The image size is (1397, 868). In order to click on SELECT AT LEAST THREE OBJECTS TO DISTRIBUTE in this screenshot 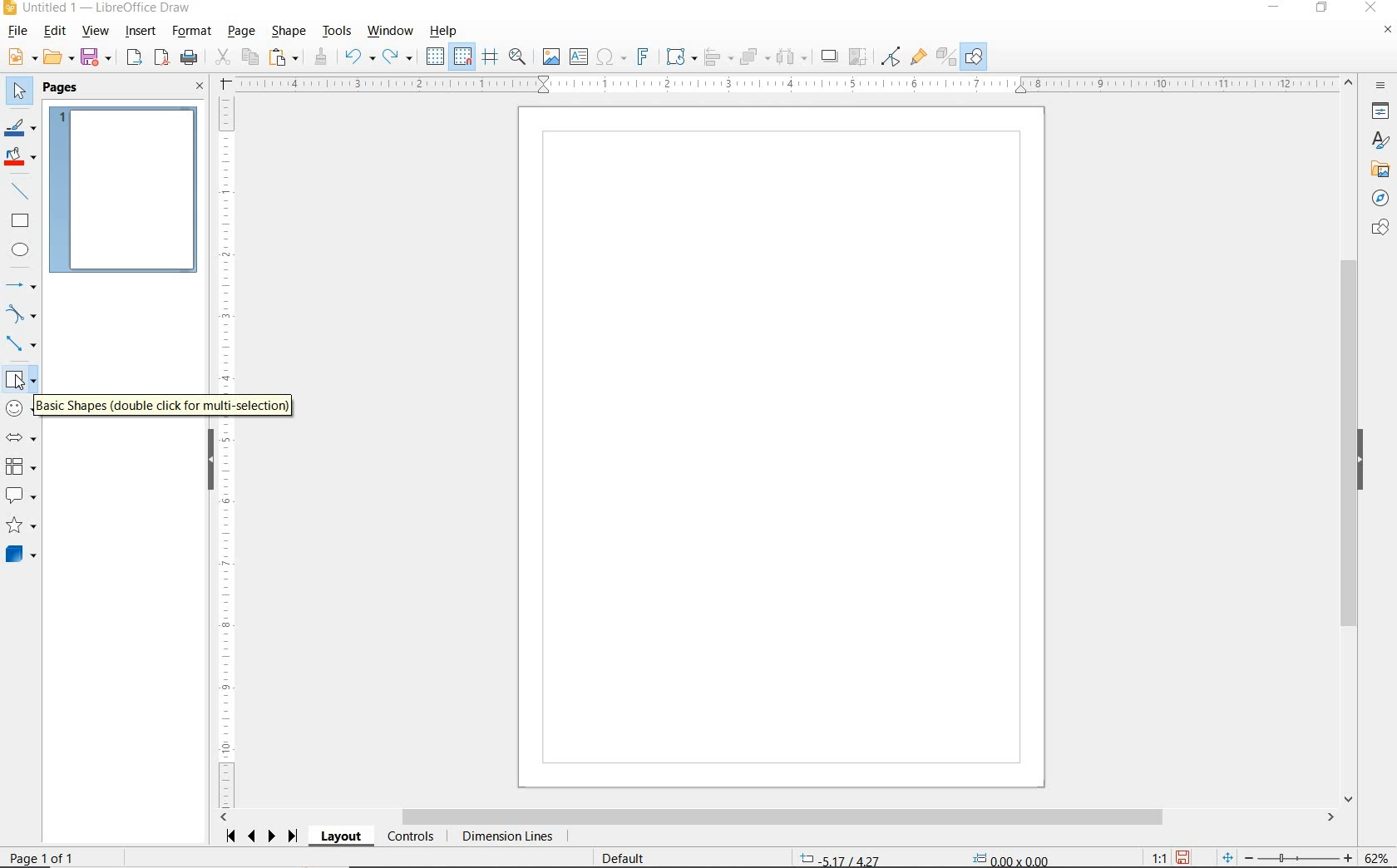, I will do `click(792, 57)`.